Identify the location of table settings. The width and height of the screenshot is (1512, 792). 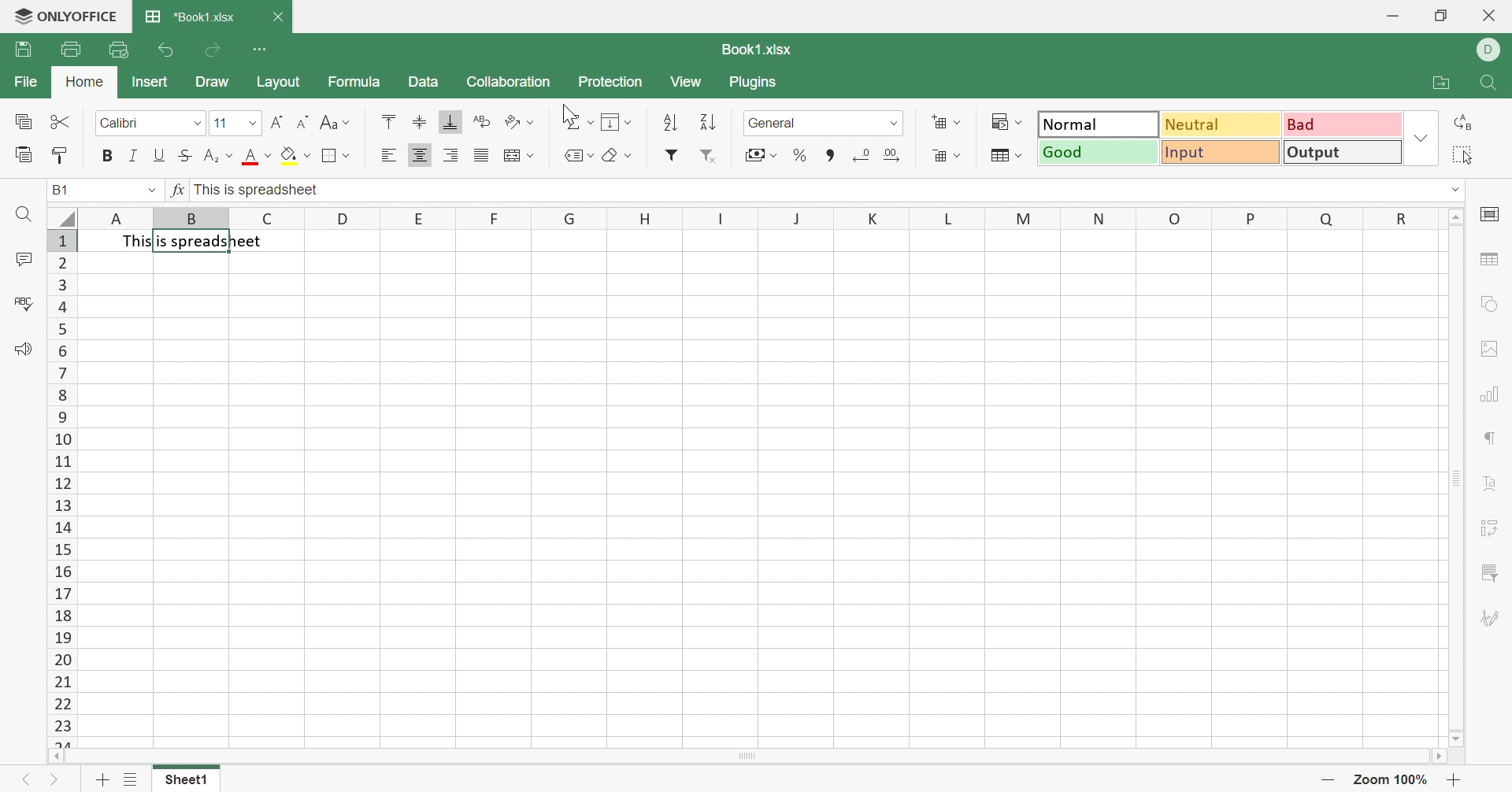
(1493, 261).